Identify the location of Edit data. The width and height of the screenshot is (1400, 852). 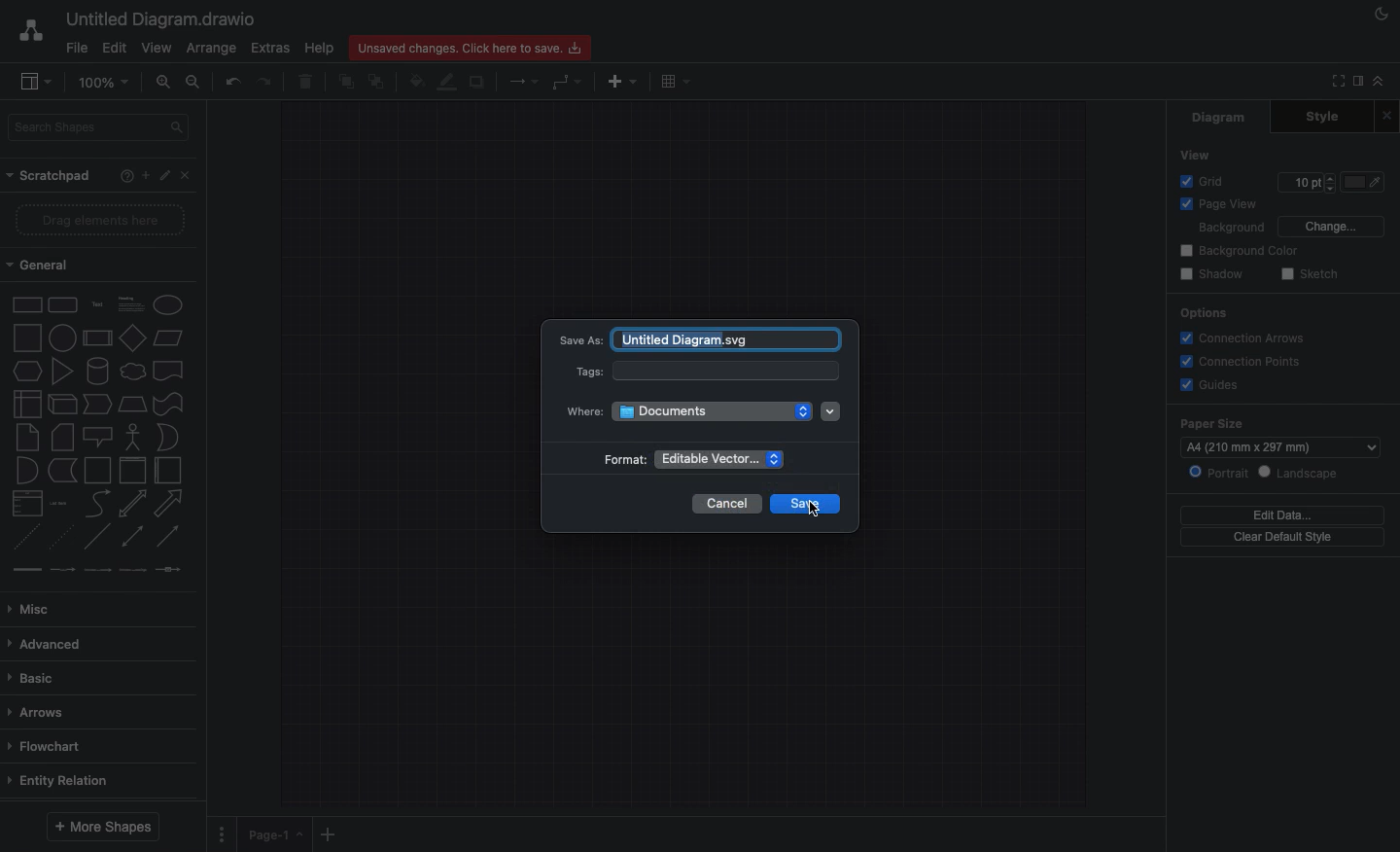
(1286, 514).